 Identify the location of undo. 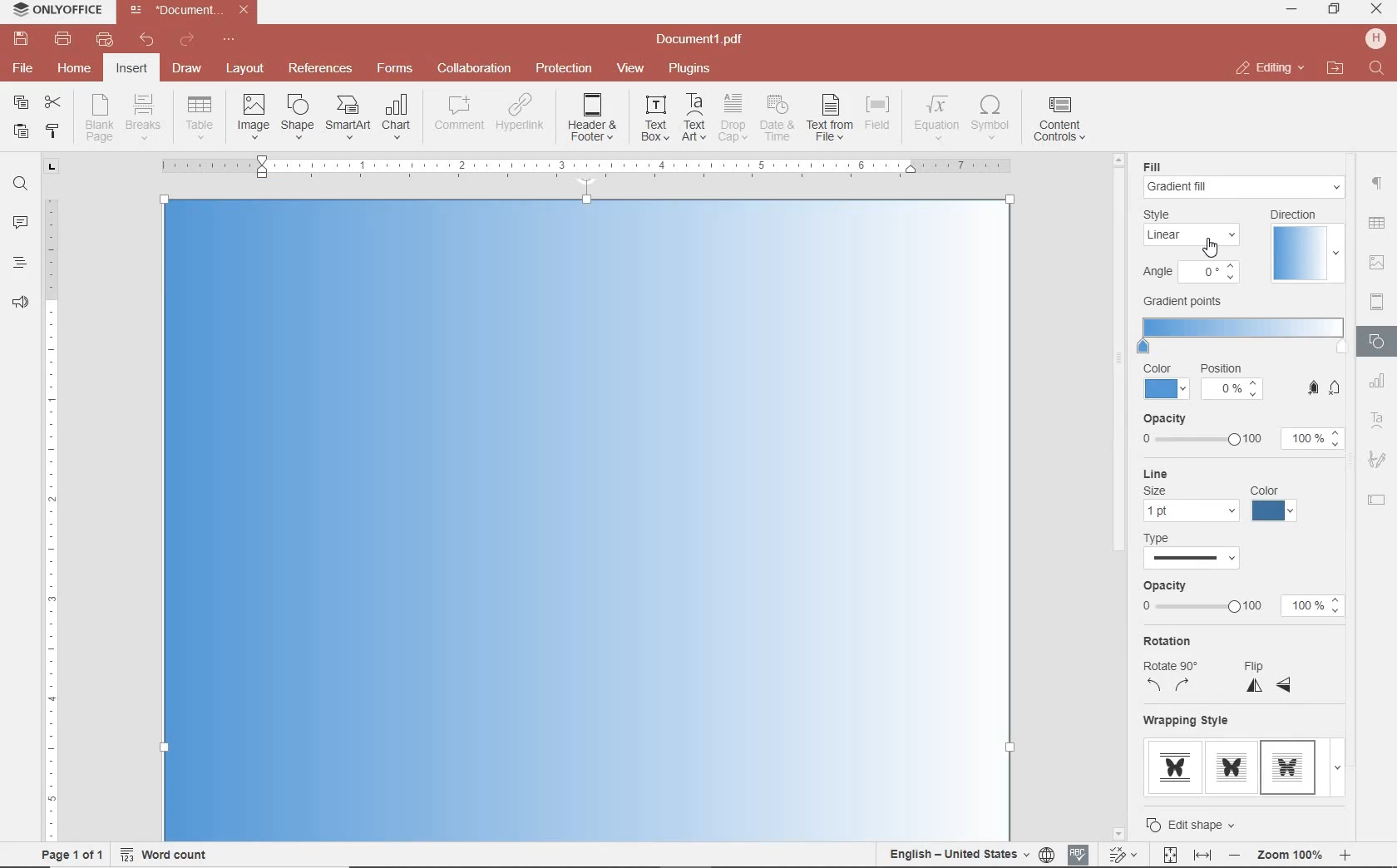
(147, 40).